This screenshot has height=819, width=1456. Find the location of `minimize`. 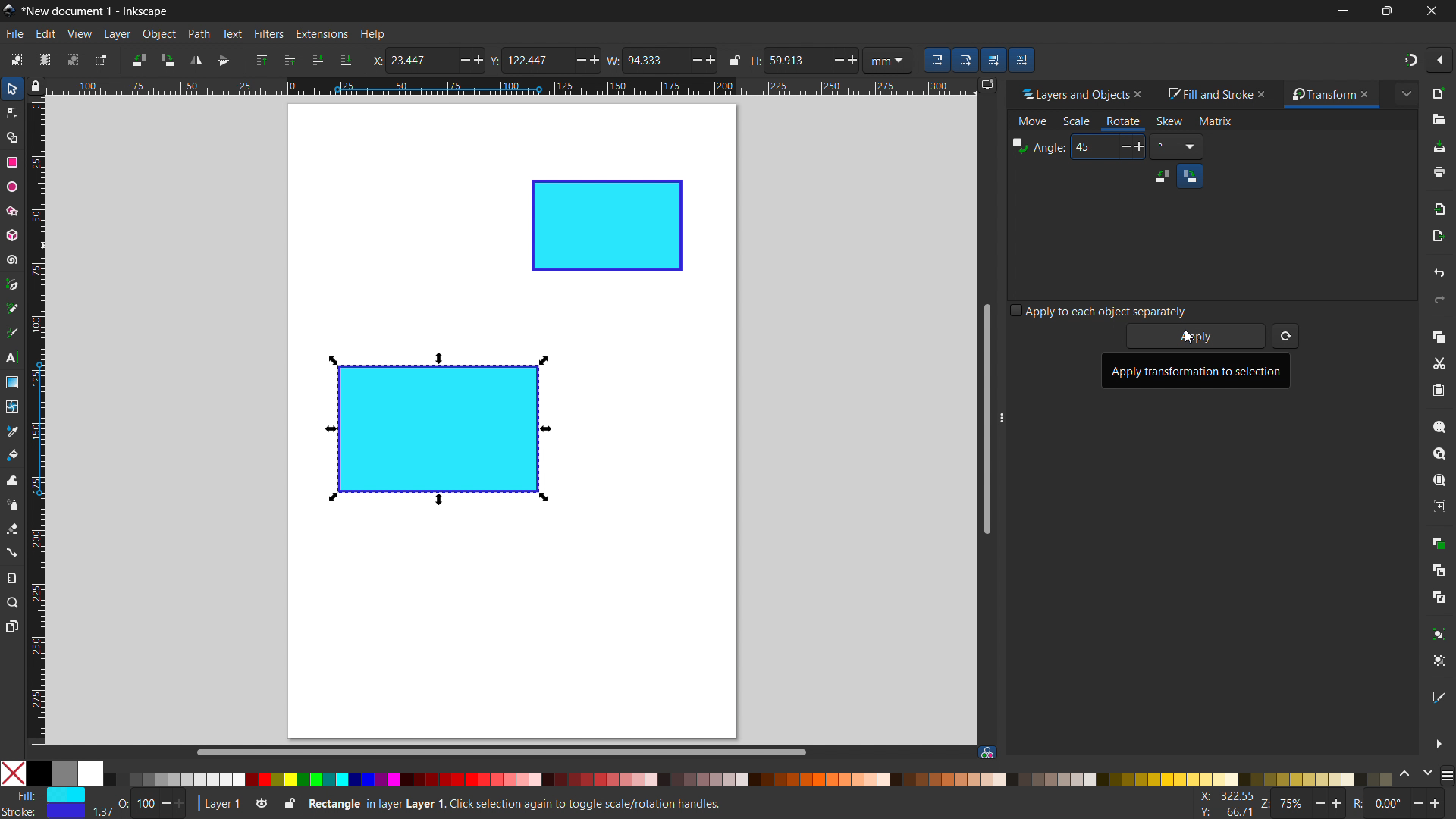

minimize is located at coordinates (1341, 11).